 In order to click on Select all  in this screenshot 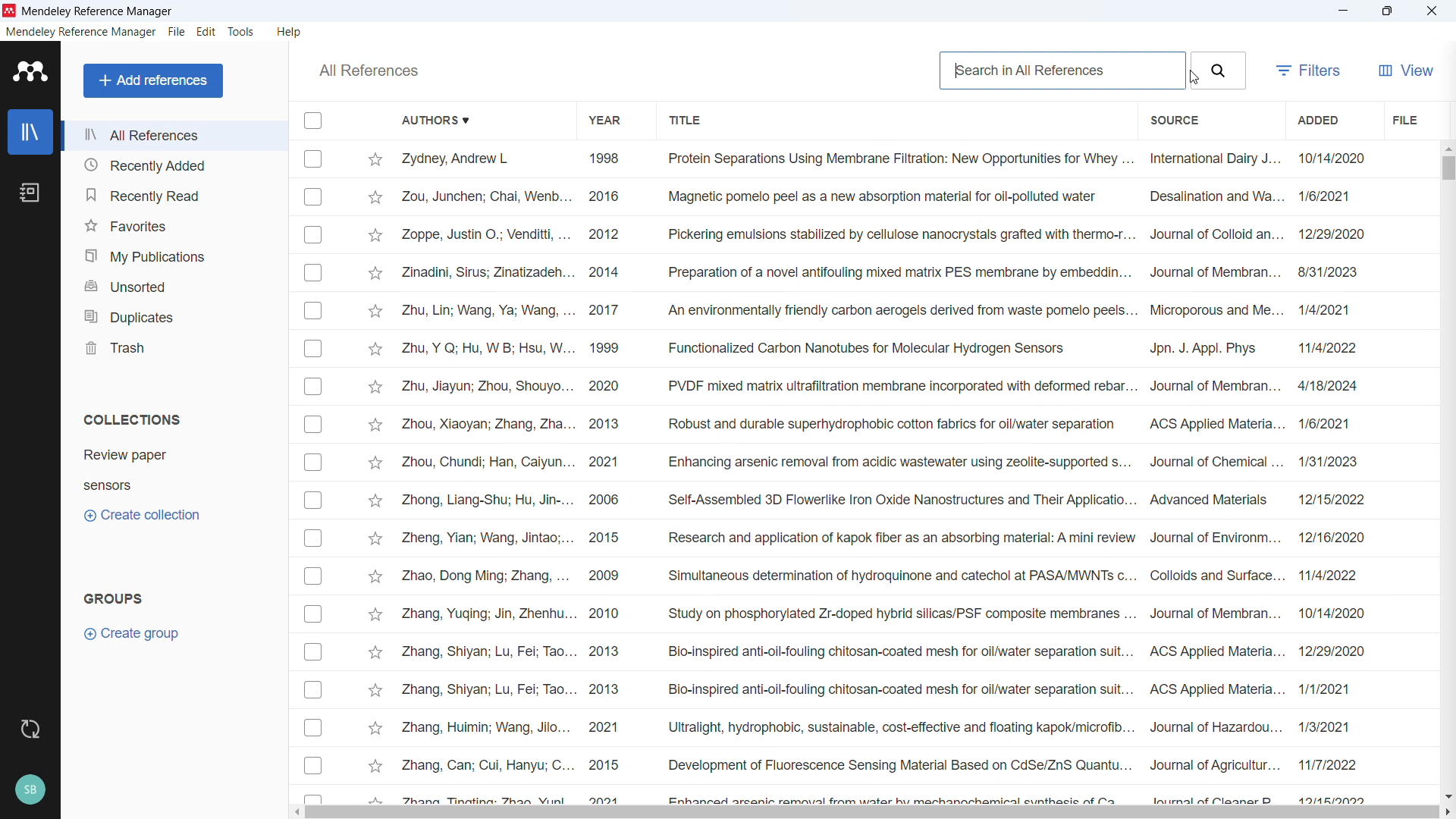, I will do `click(314, 120)`.